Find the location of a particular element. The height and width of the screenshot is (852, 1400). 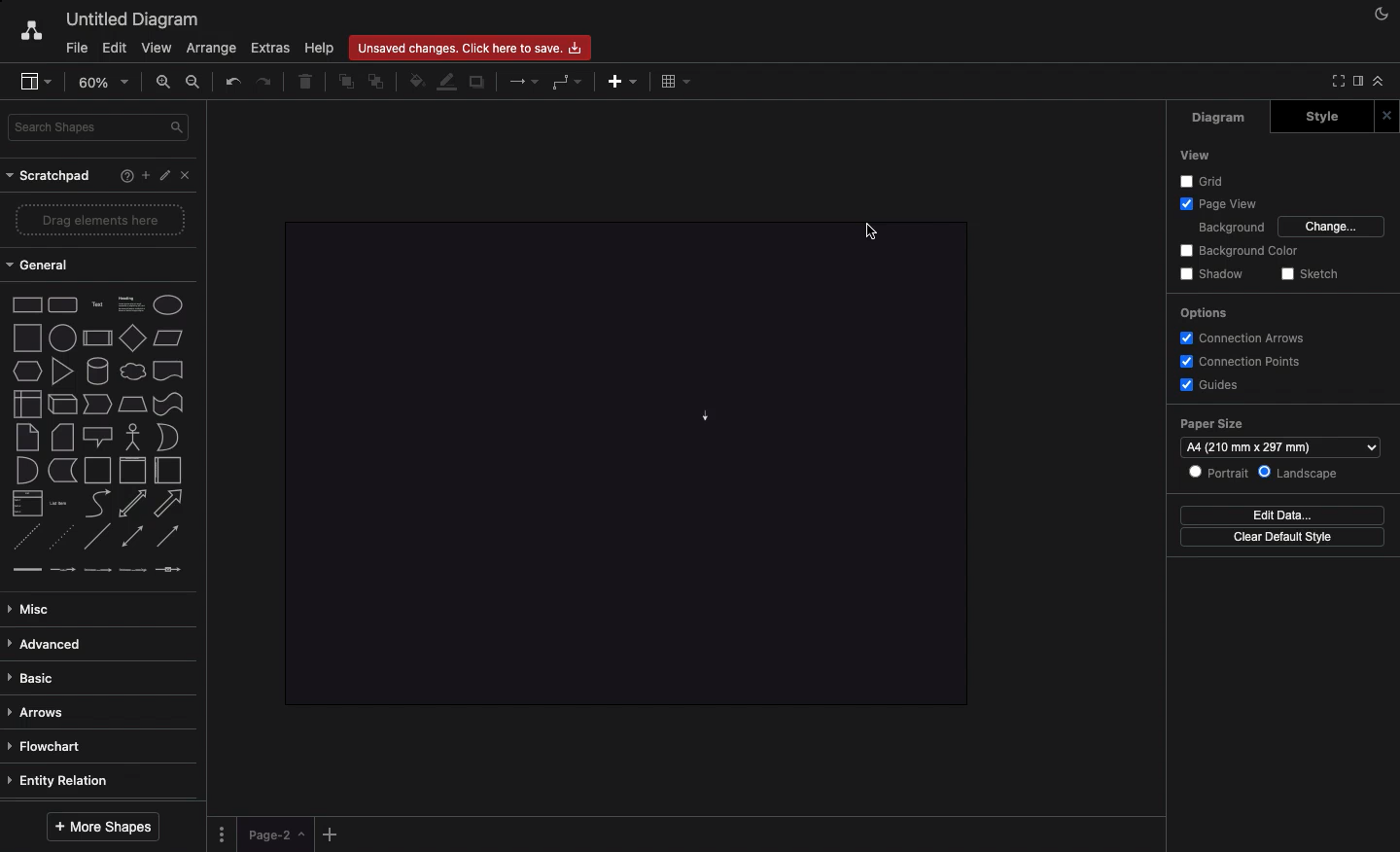

Arrows is located at coordinates (43, 712).